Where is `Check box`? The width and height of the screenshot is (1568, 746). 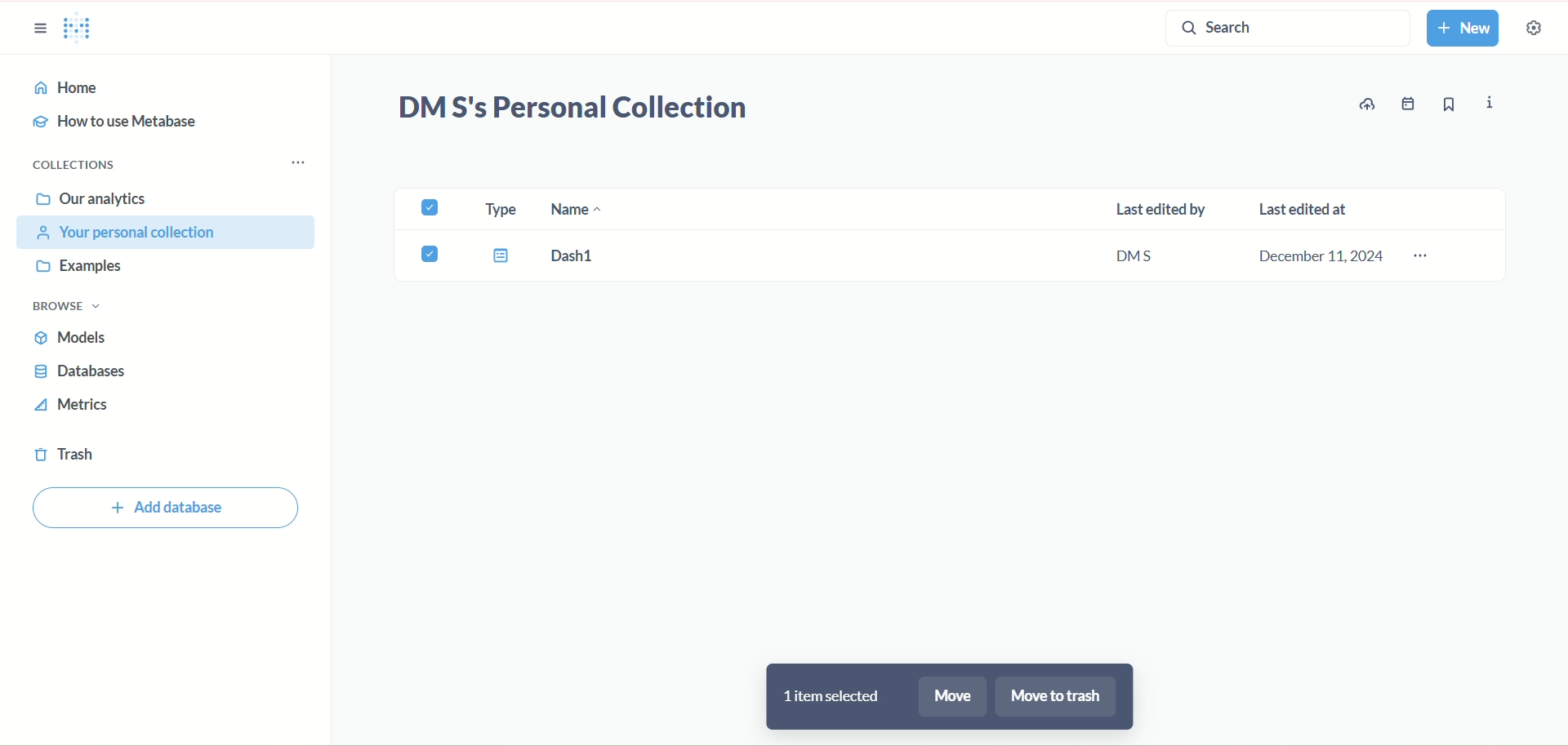 Check box is located at coordinates (432, 255).